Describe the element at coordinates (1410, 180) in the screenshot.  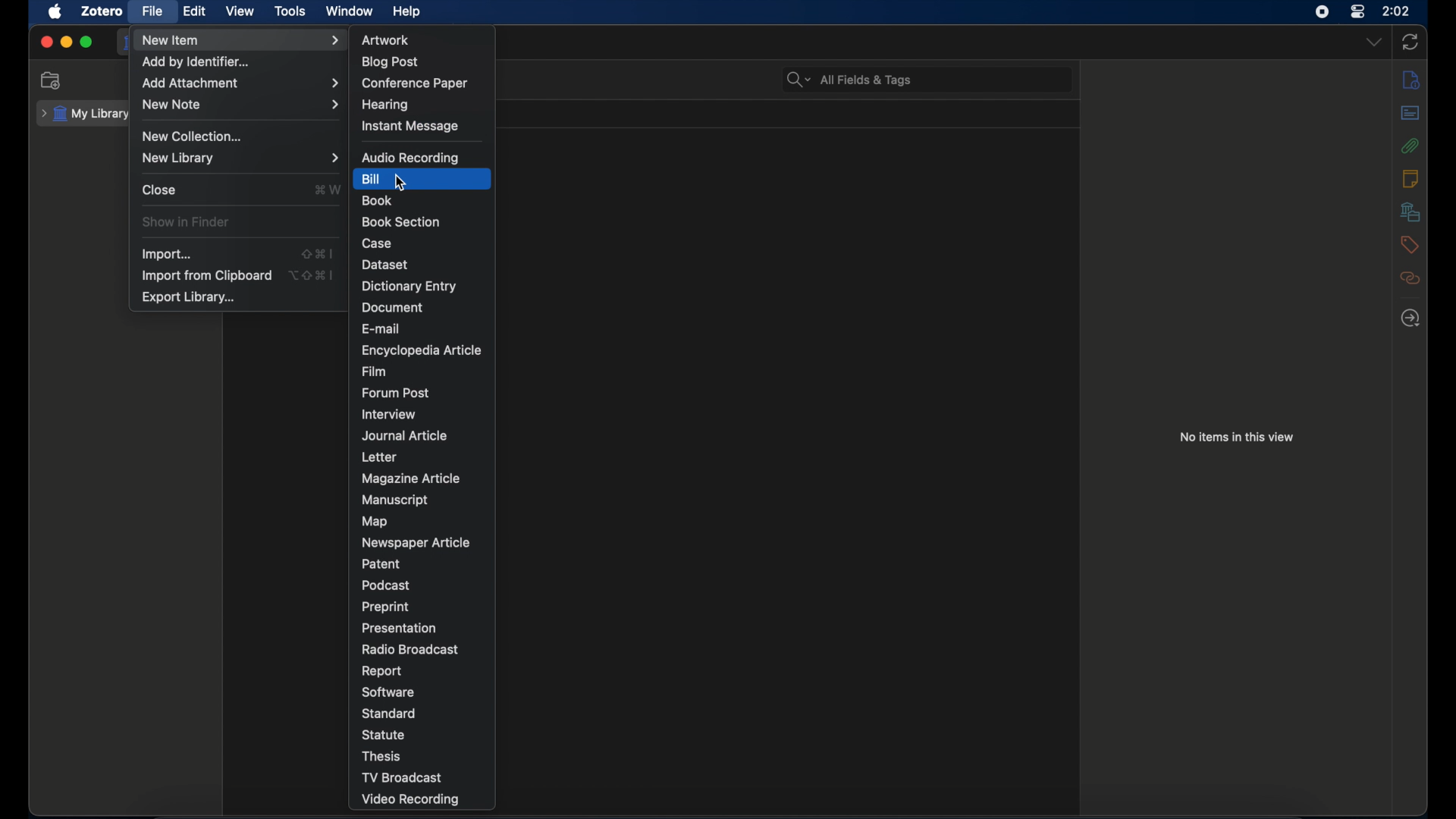
I see `notes` at that location.